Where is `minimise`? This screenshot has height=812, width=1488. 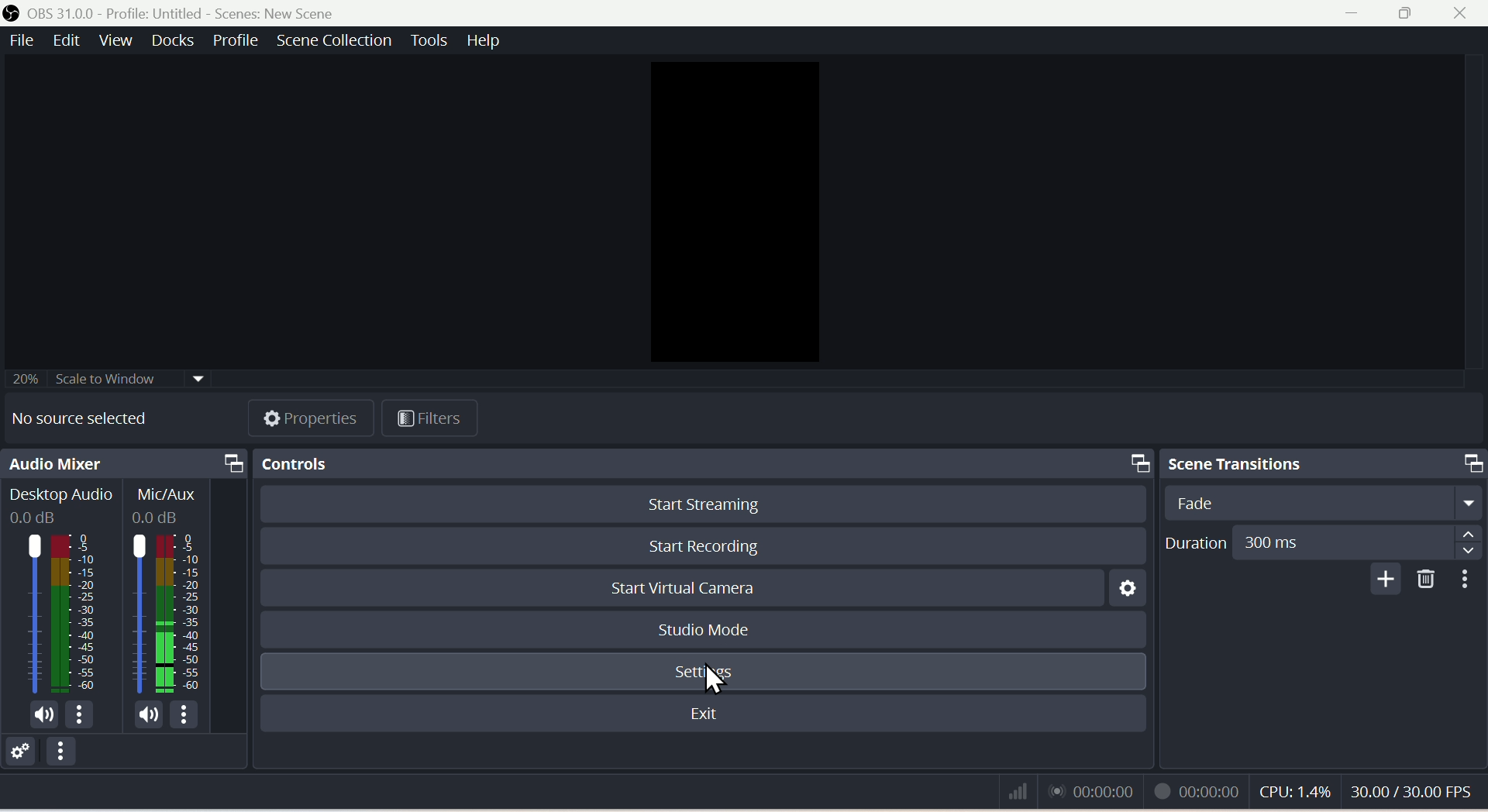 minimise is located at coordinates (1357, 15).